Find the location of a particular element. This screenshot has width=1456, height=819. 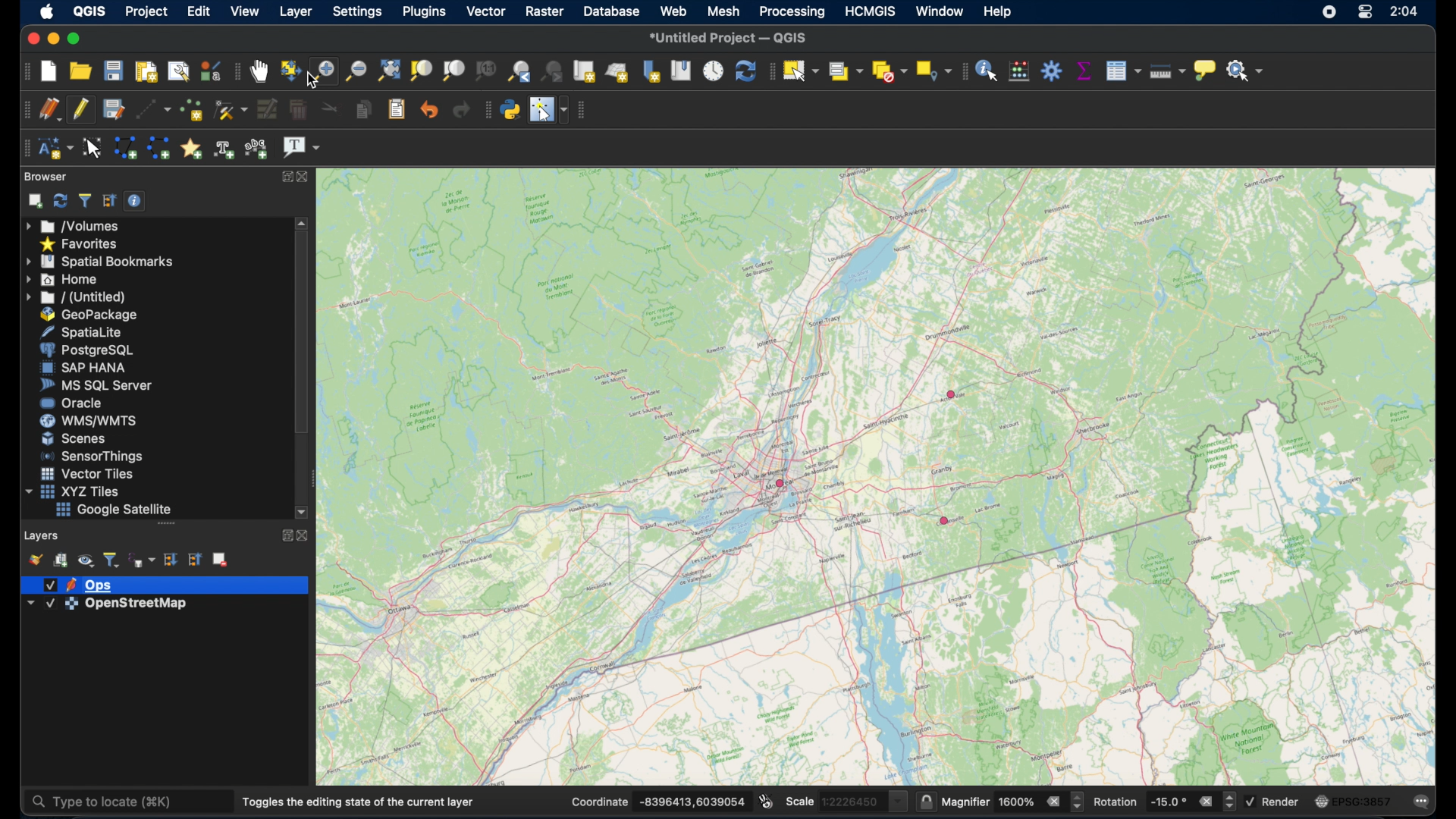

new annotation layer is located at coordinates (58, 147).